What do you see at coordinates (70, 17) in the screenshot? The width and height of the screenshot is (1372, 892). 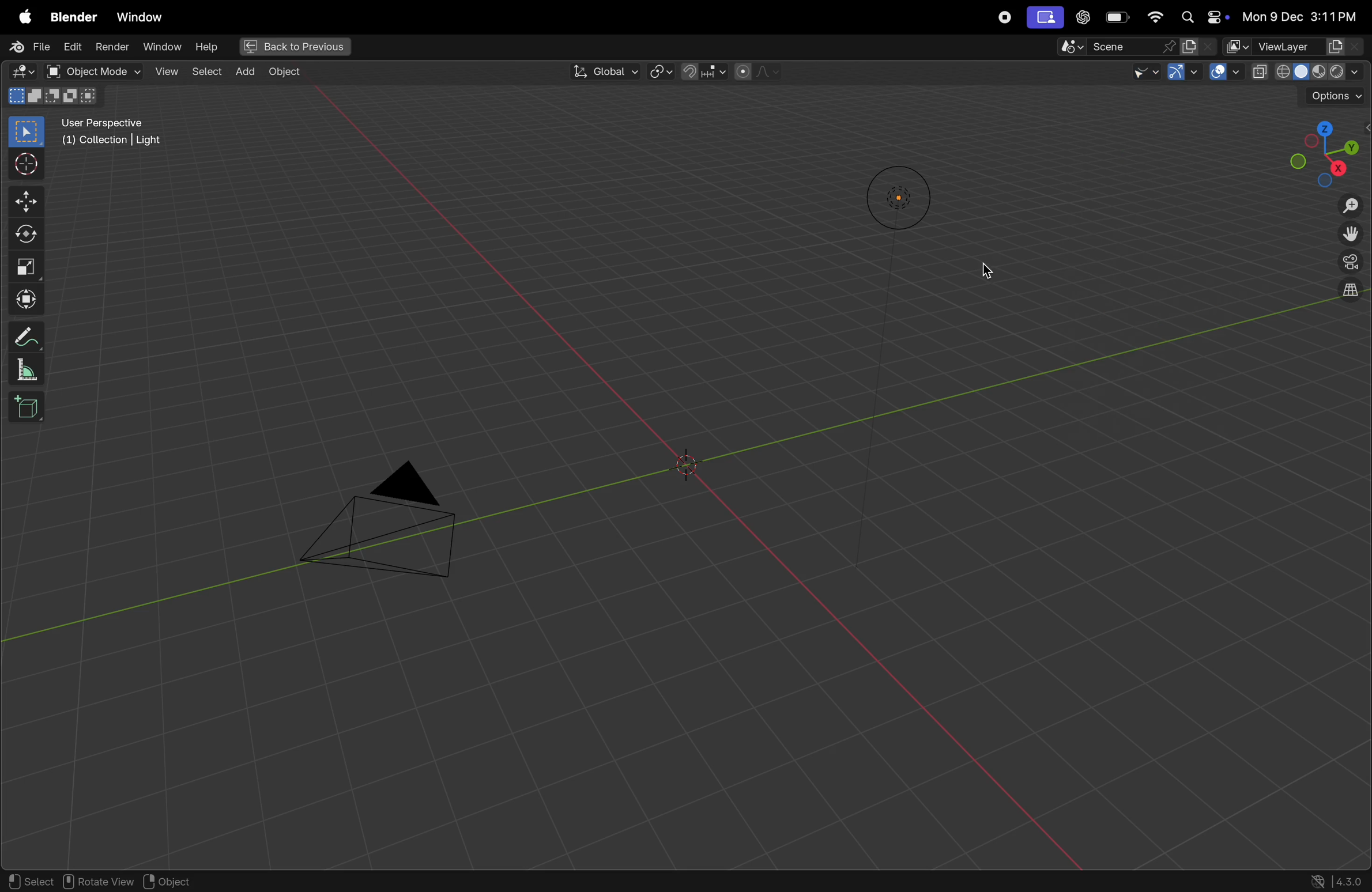 I see `blender` at bounding box center [70, 17].